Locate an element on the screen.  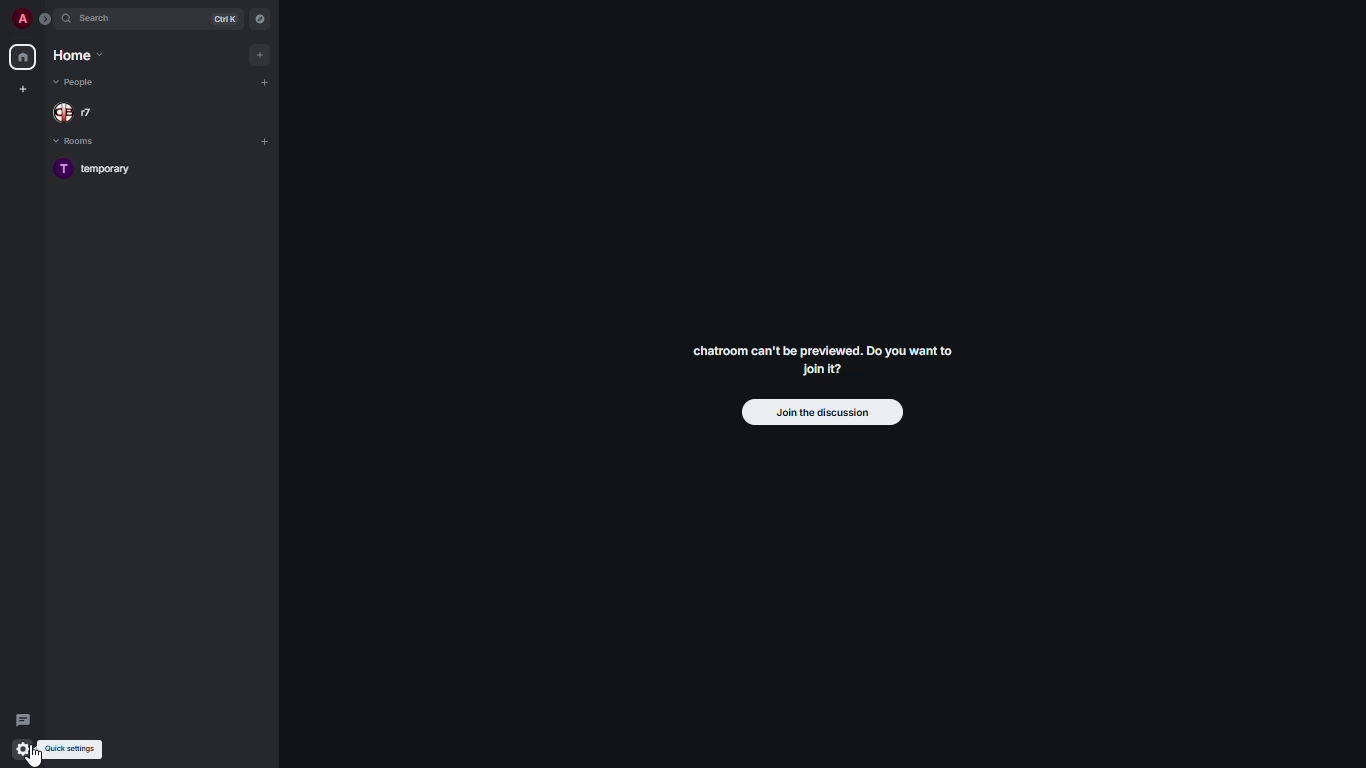
search is located at coordinates (100, 20).